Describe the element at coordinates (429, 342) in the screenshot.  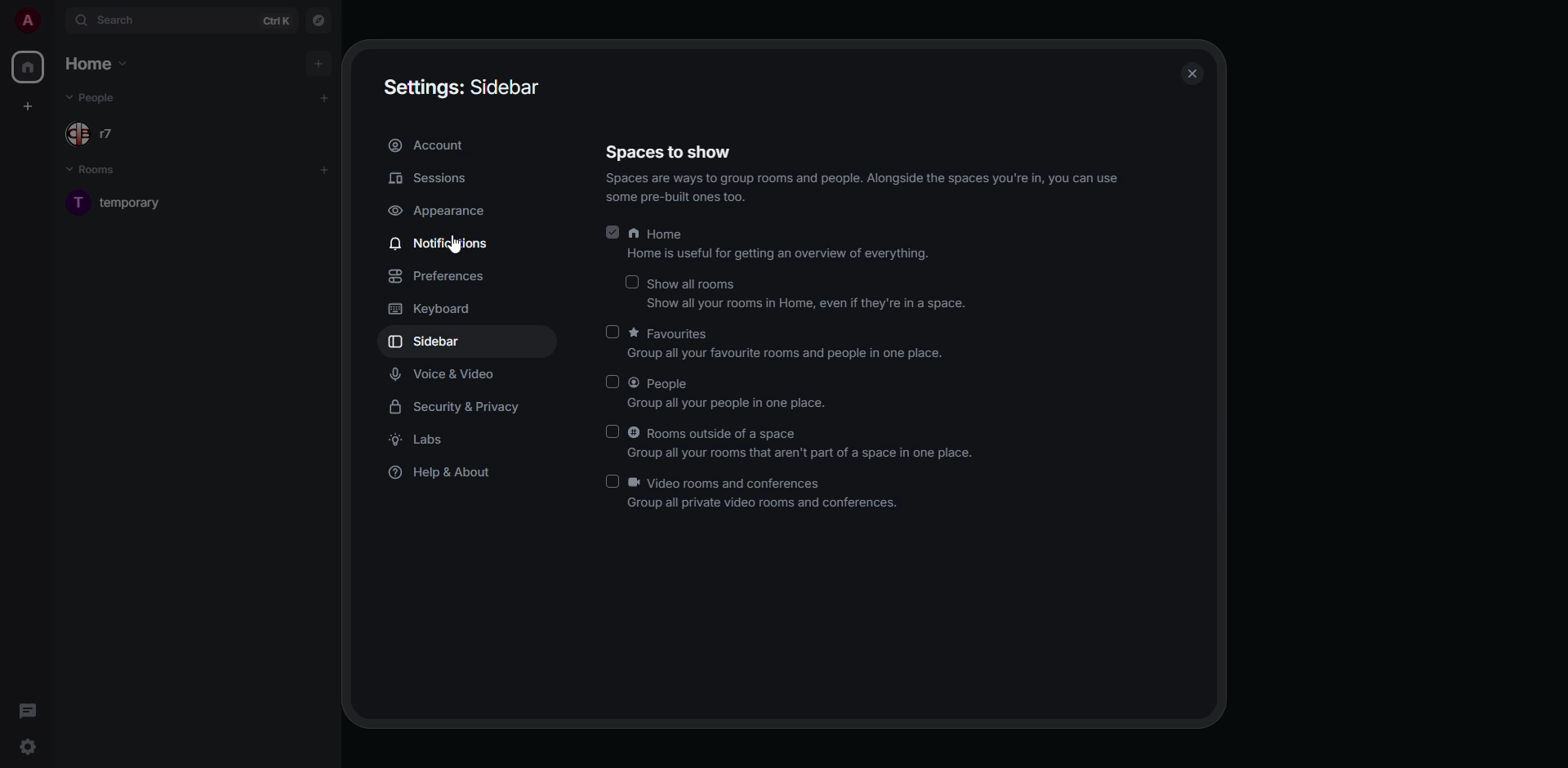
I see `sidebar` at that location.